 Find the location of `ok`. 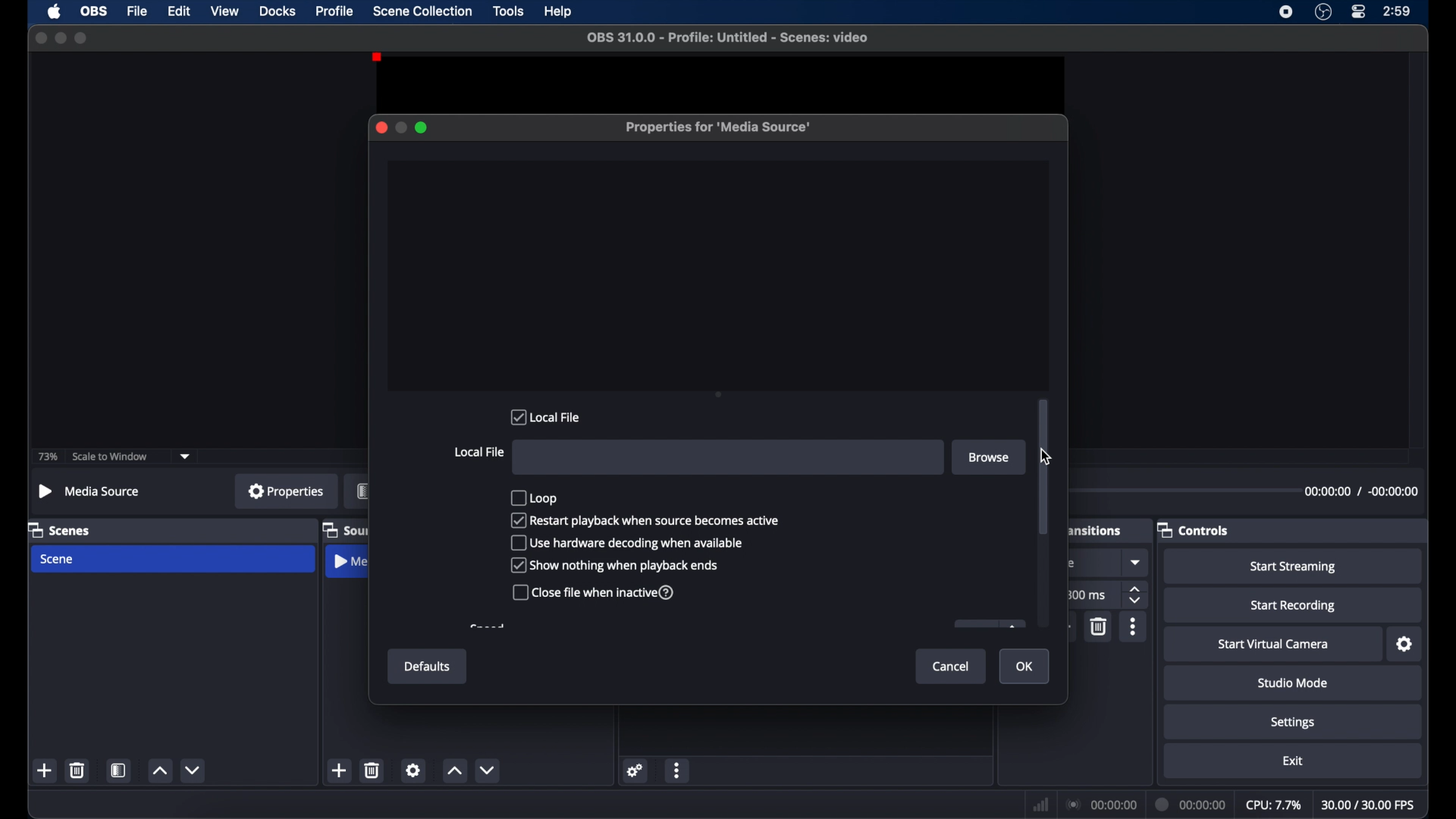

ok is located at coordinates (1025, 667).